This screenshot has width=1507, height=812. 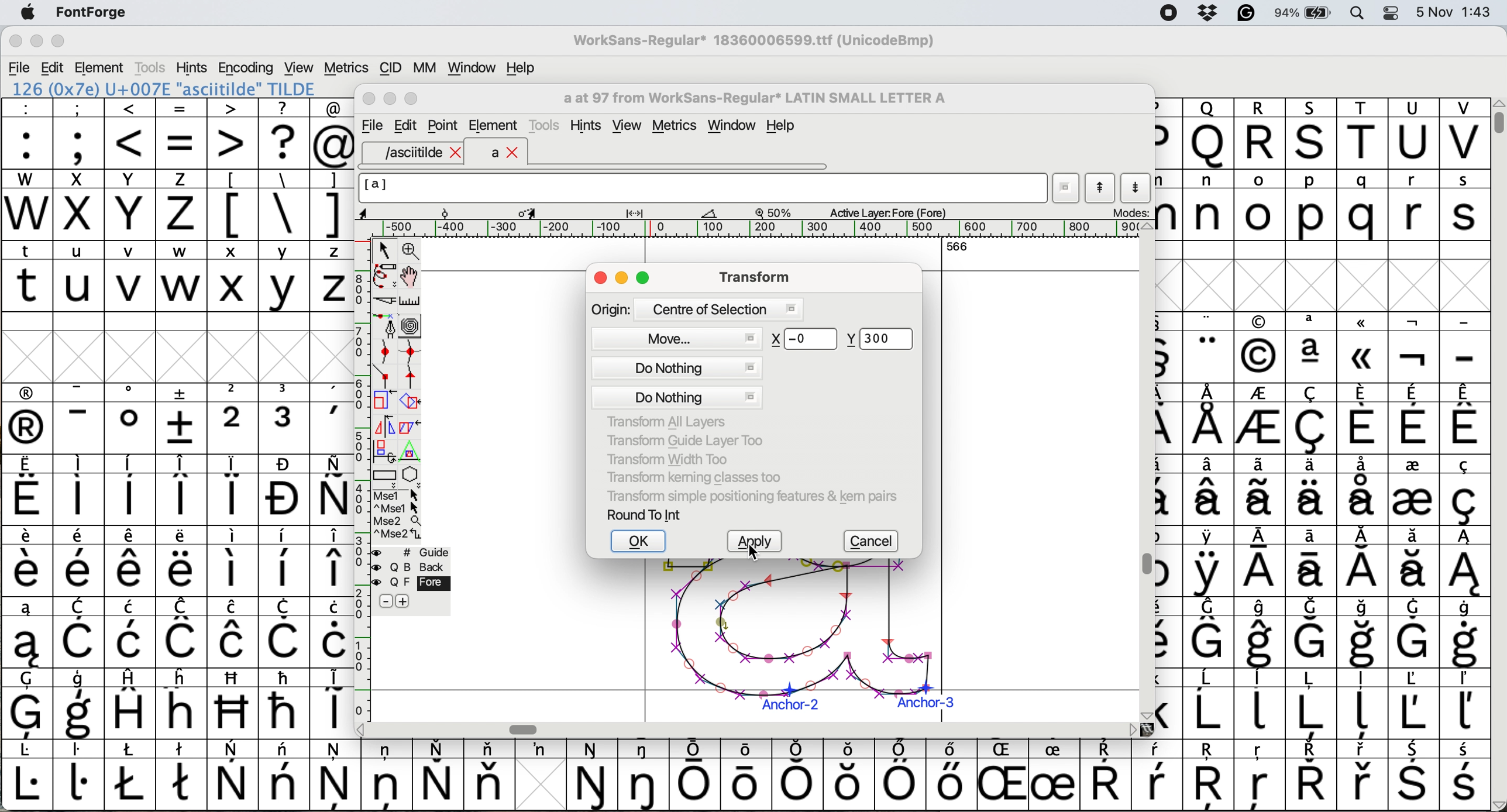 I want to click on symbol, so click(x=1414, y=632).